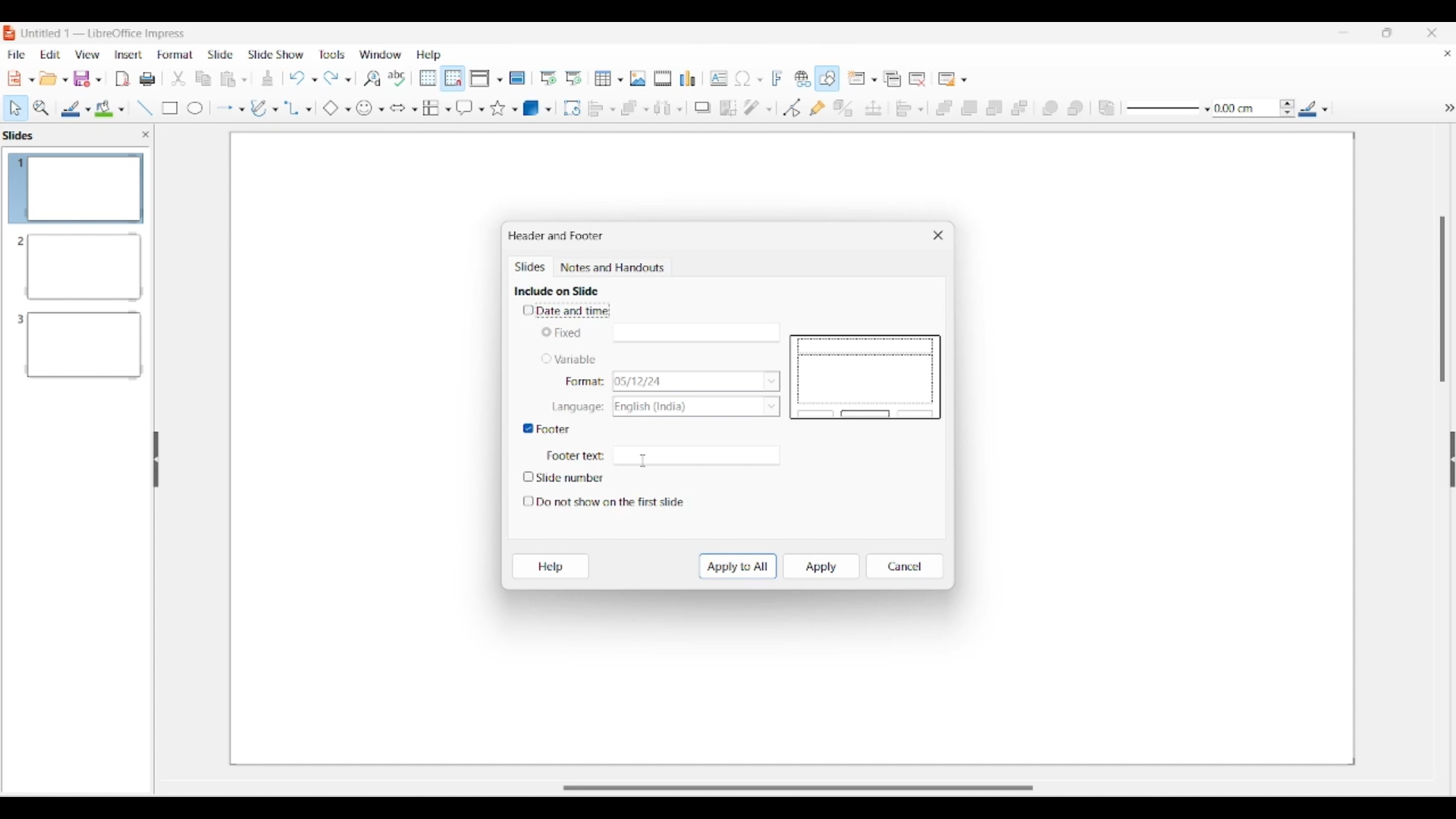  Describe the element at coordinates (844, 108) in the screenshot. I see `Toggle extrusion` at that location.